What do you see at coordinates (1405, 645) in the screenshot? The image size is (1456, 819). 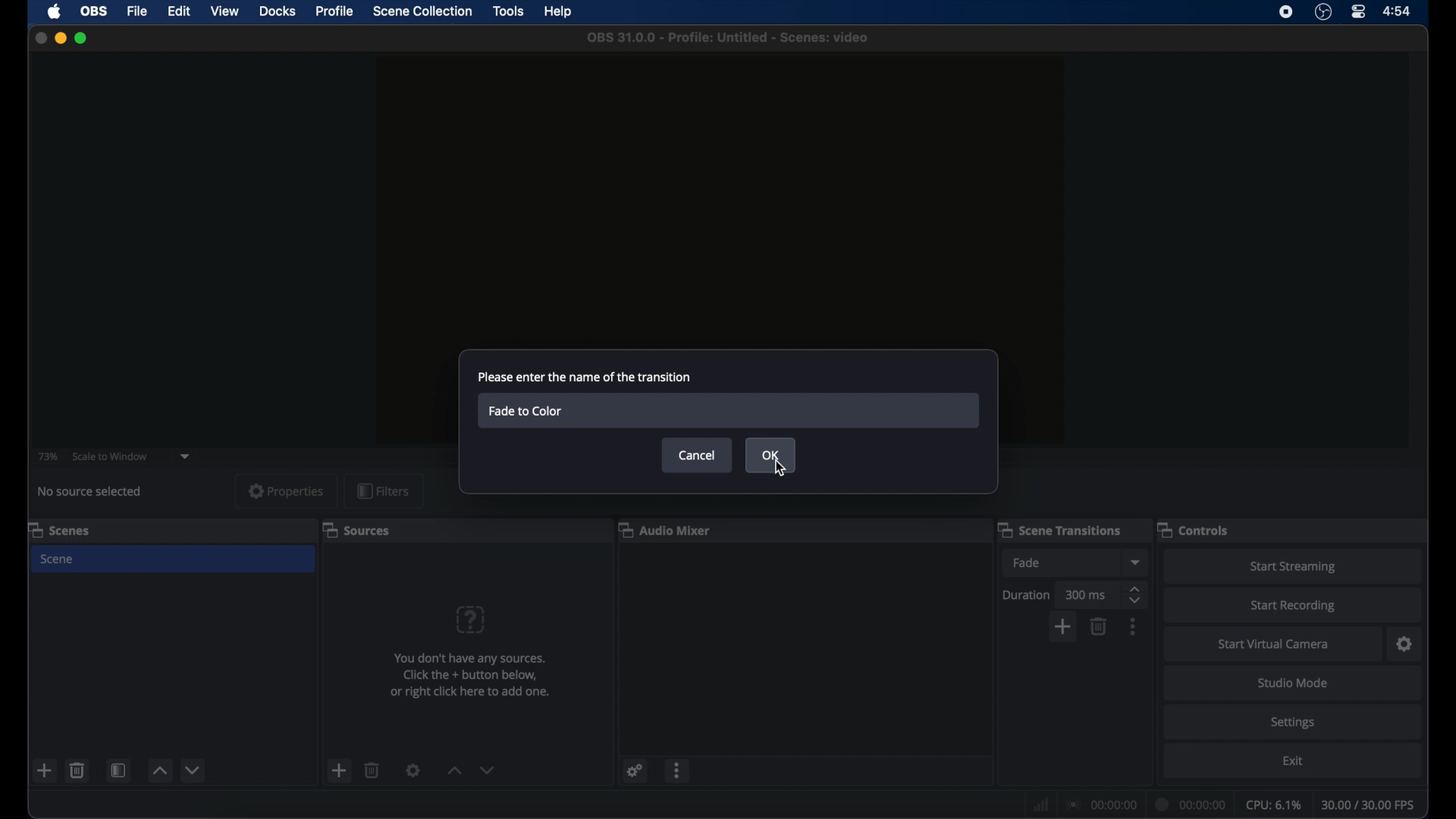 I see `settings` at bounding box center [1405, 645].